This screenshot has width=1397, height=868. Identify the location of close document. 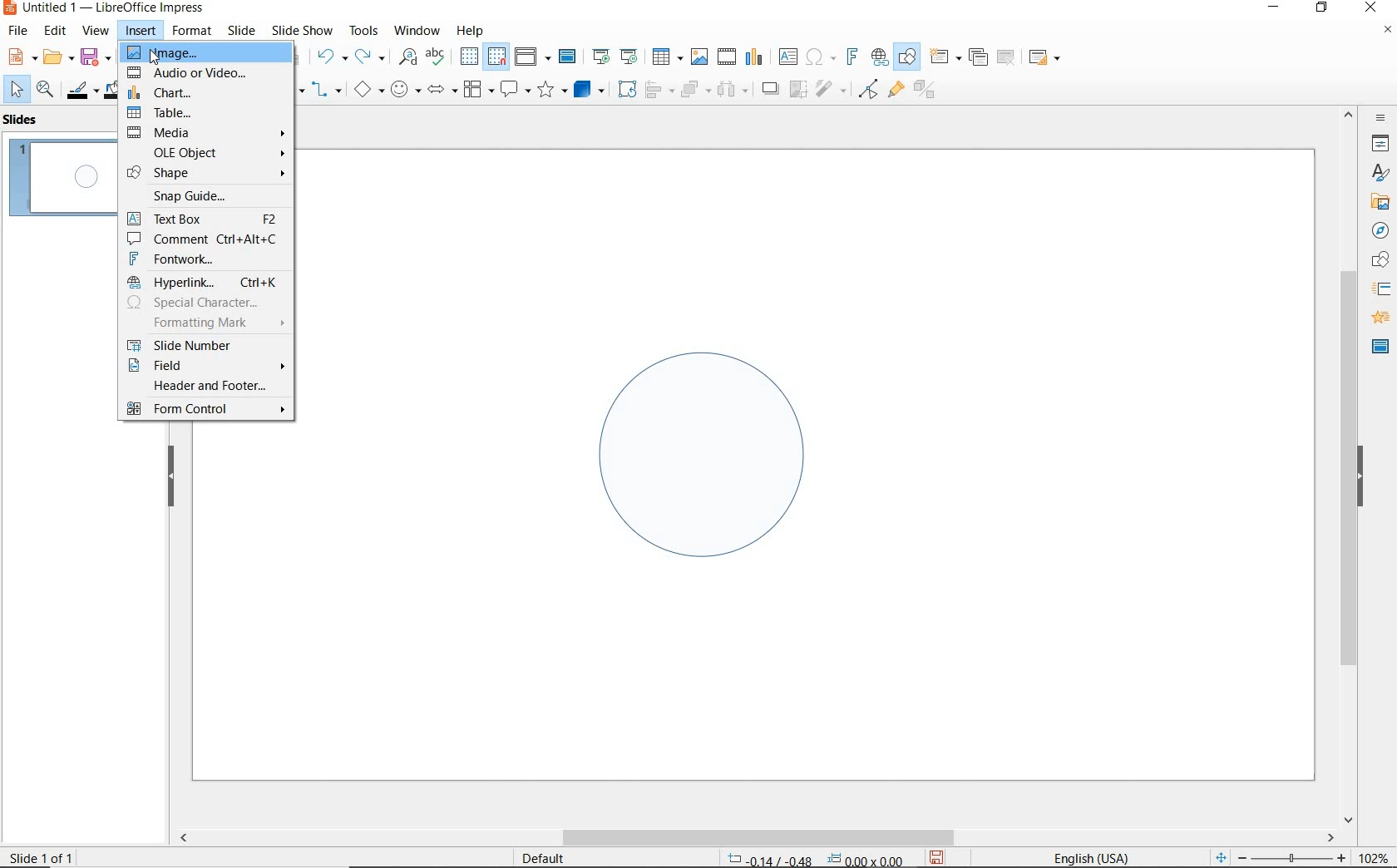
(1387, 33).